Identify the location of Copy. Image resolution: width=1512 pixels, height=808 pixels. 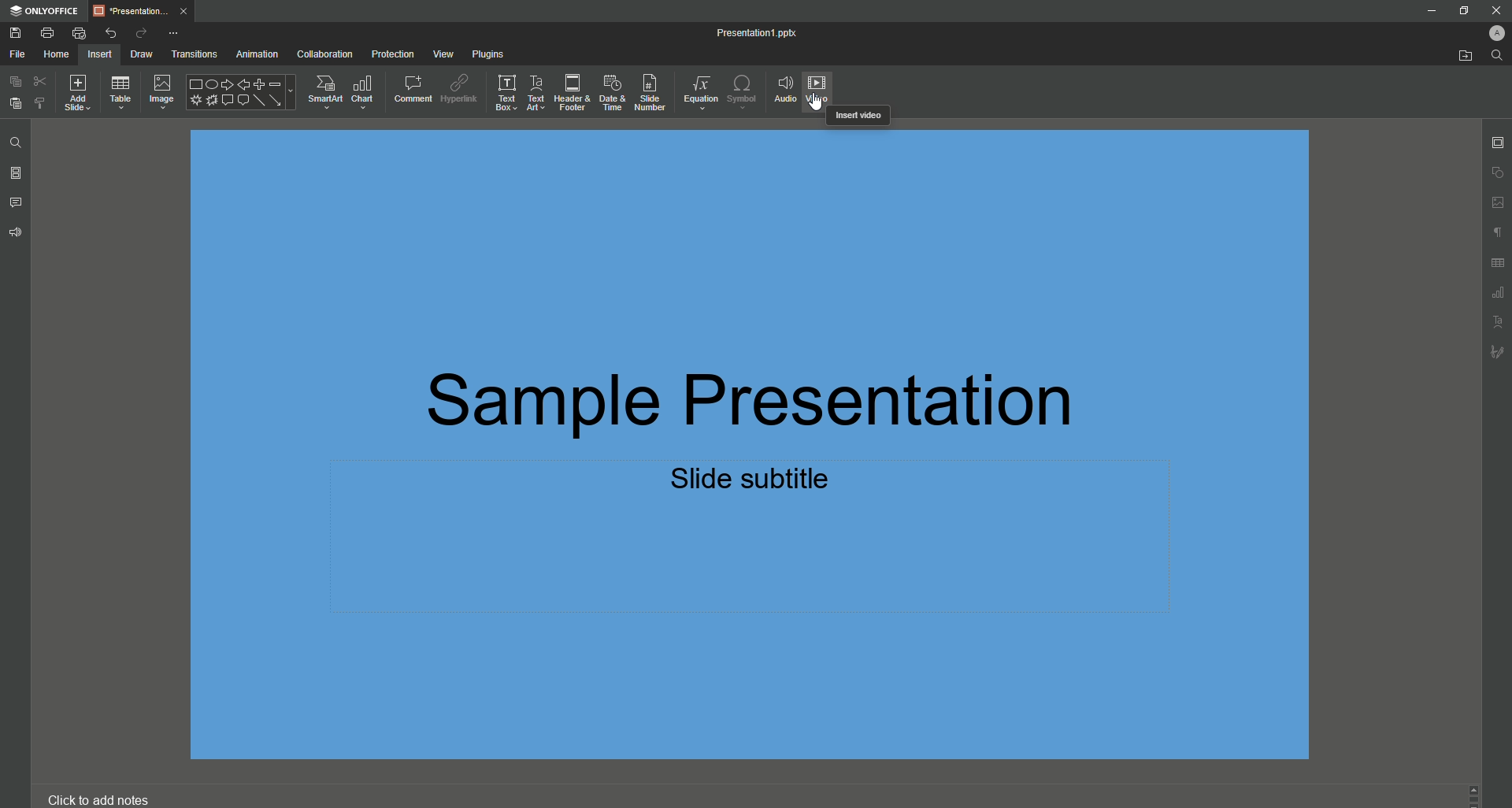
(13, 80).